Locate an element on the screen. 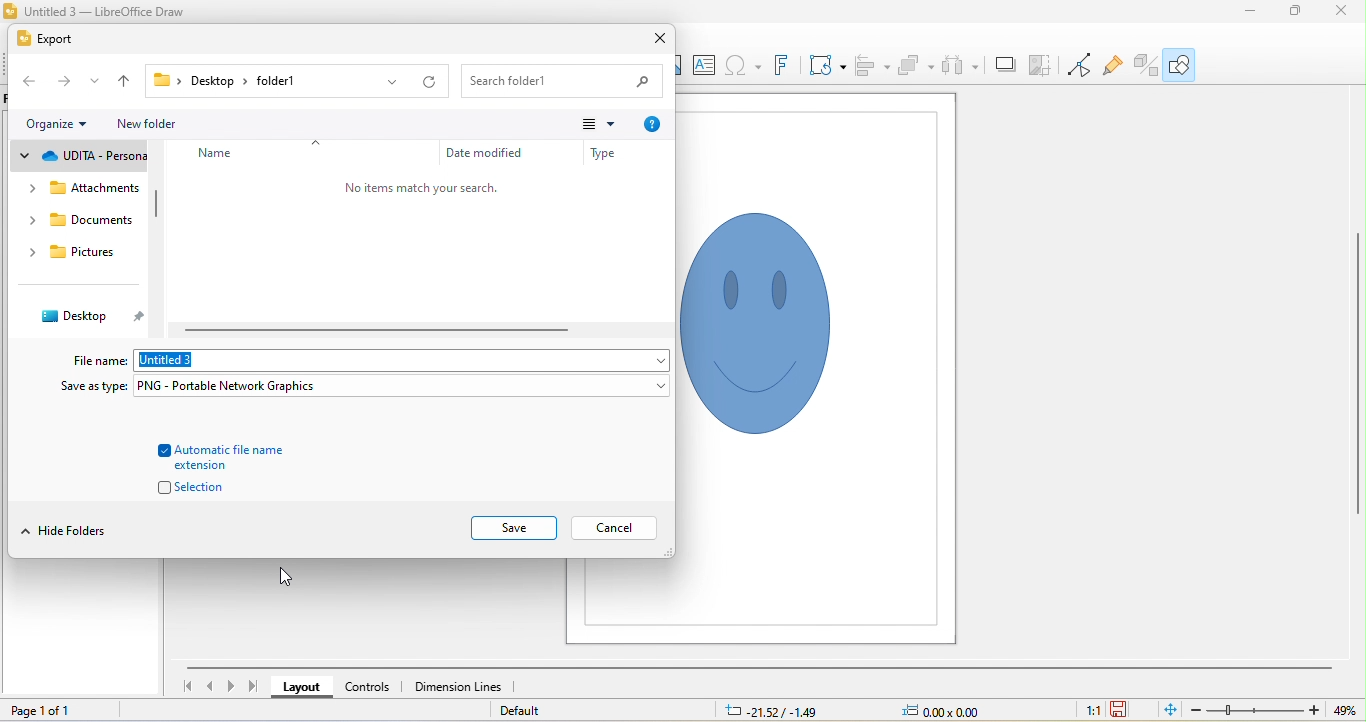  file path is located at coordinates (231, 80).